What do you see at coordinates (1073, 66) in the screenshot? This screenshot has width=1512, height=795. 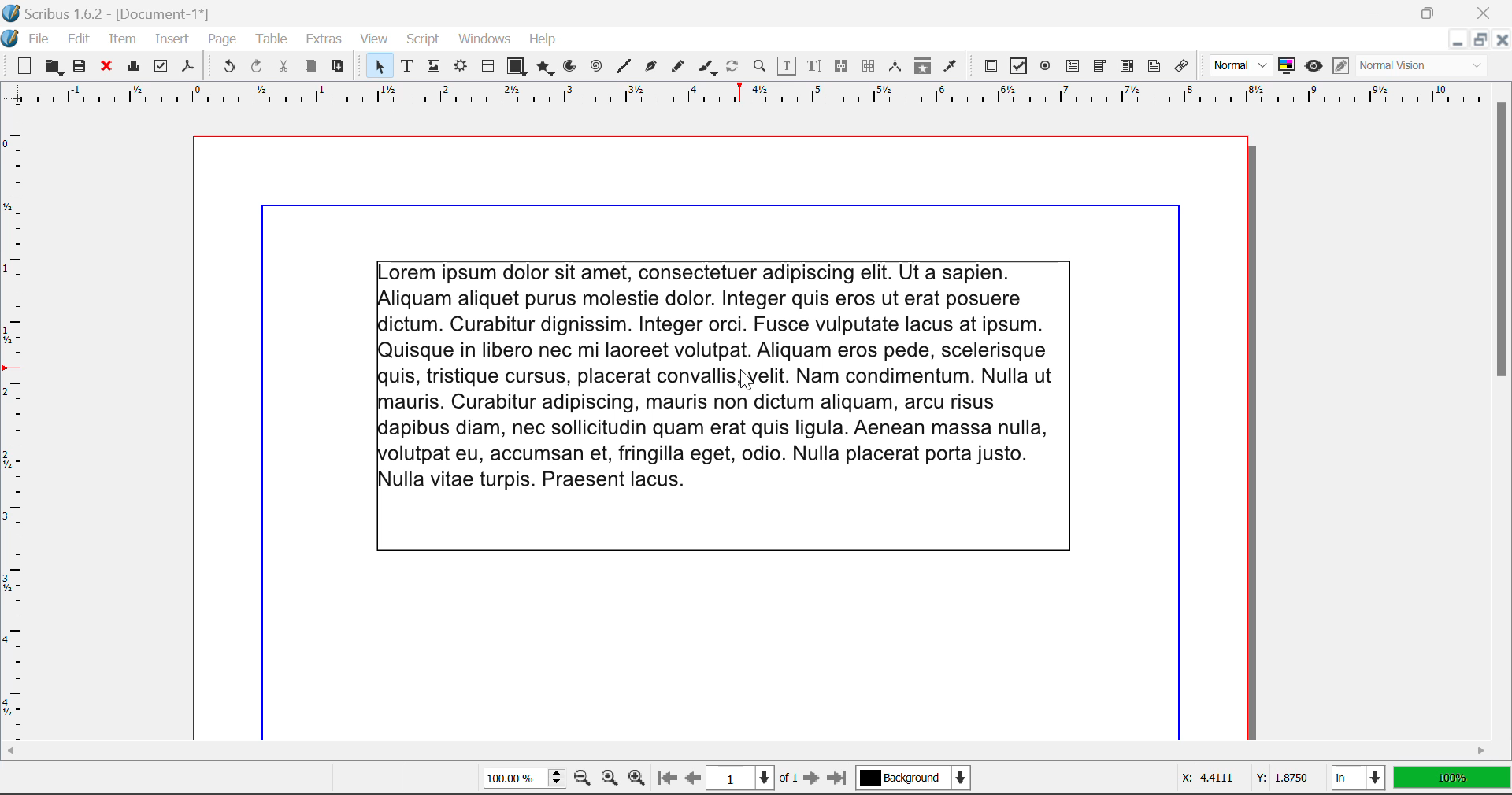 I see `PDF Text Fields` at bounding box center [1073, 66].